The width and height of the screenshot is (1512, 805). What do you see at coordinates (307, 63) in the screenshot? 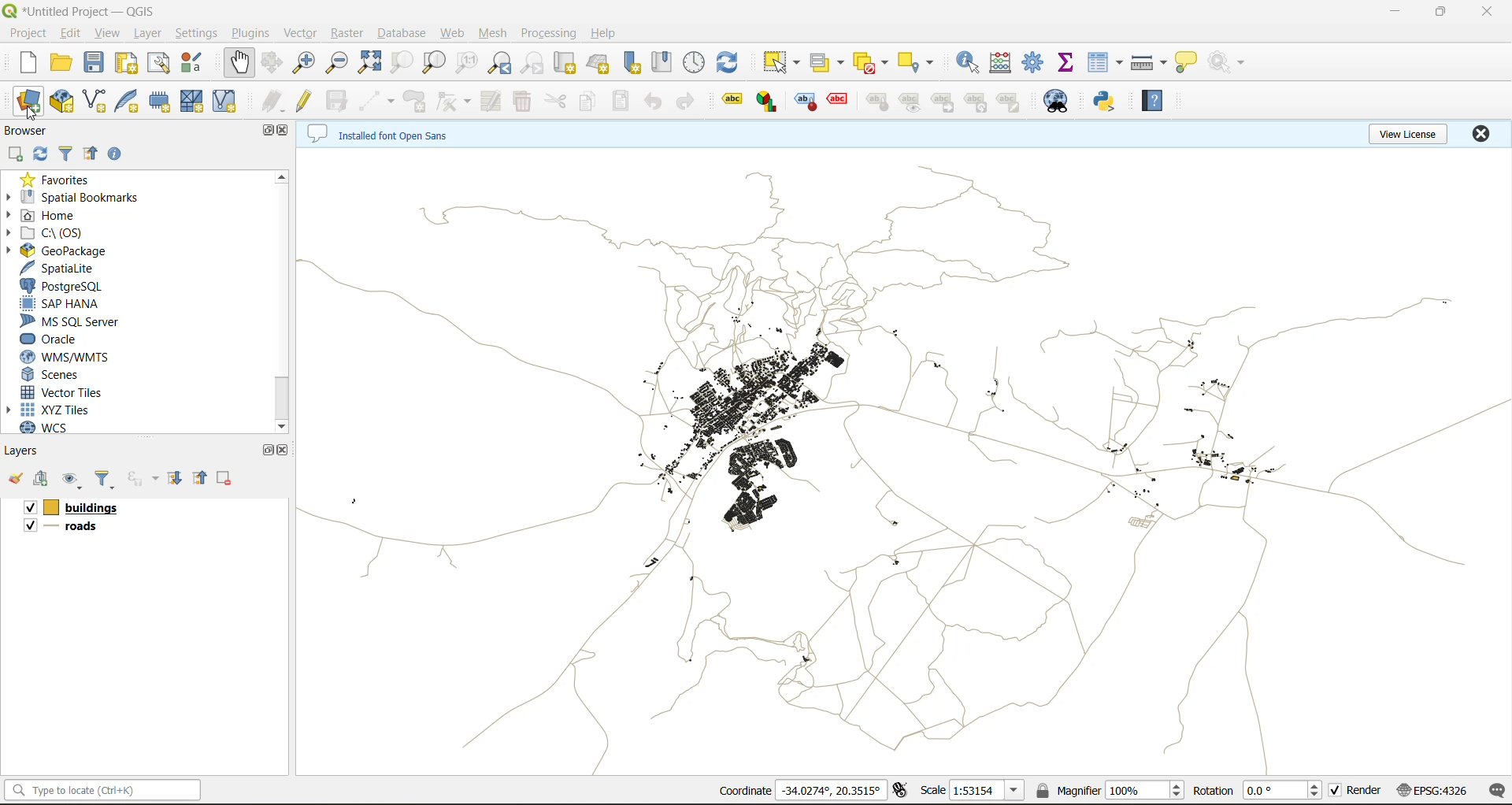
I see `zoom in` at bounding box center [307, 63].